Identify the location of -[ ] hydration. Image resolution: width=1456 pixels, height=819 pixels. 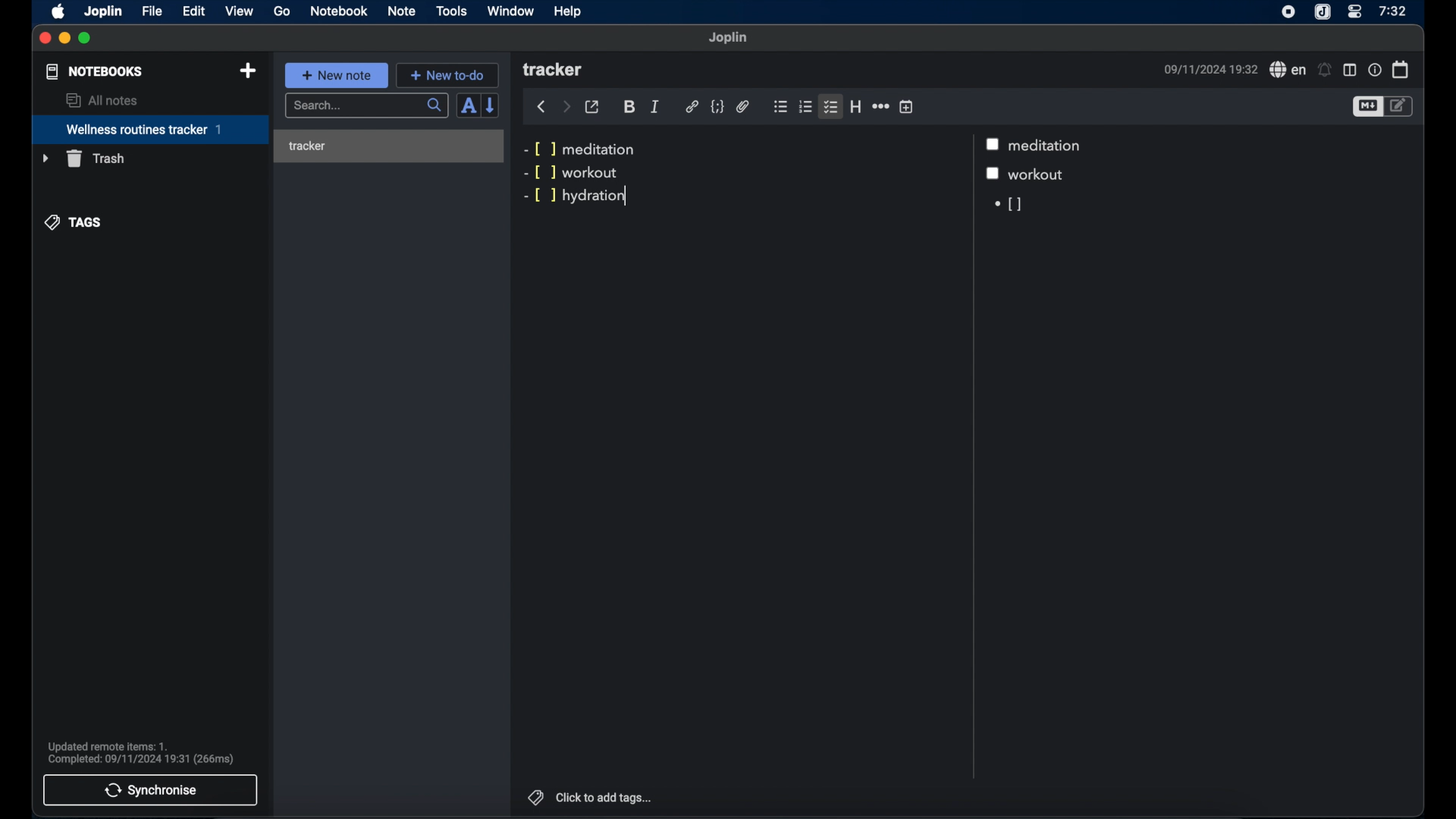
(576, 197).